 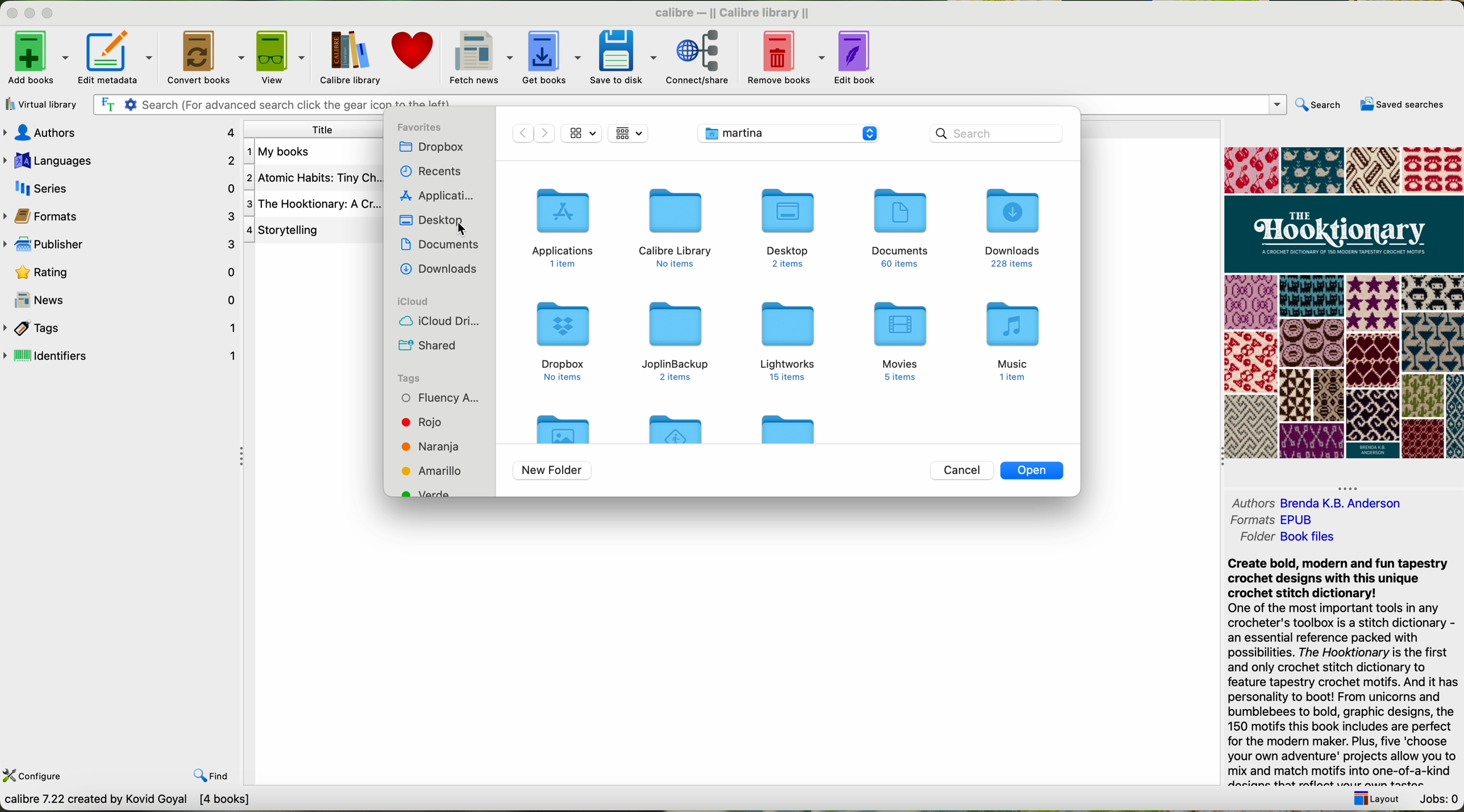 What do you see at coordinates (132, 802) in the screenshot?
I see `convert books between different e-book formats` at bounding box center [132, 802].